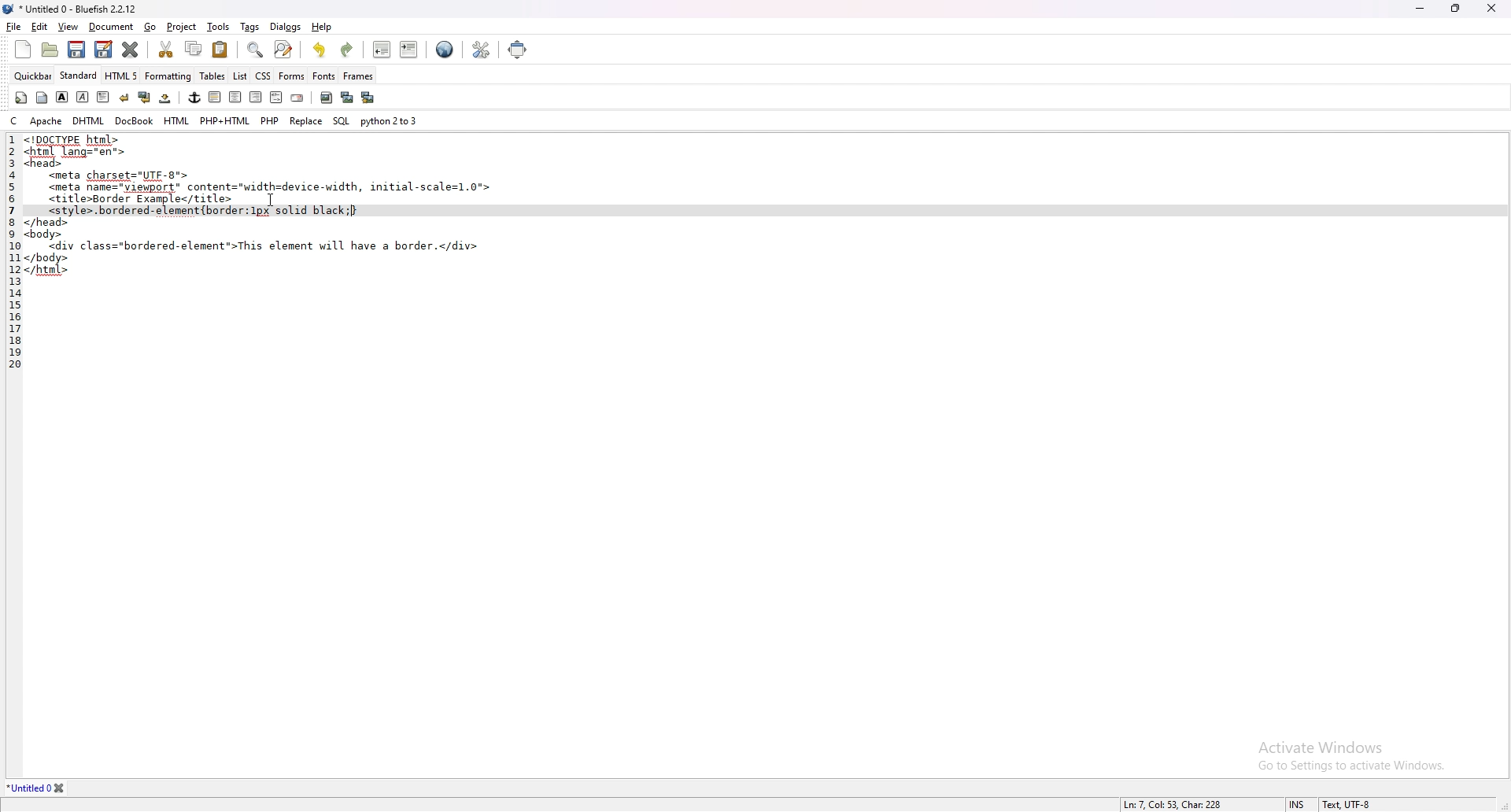 The width and height of the screenshot is (1511, 812). What do you see at coordinates (285, 49) in the screenshot?
I see `advanced find and replace` at bounding box center [285, 49].